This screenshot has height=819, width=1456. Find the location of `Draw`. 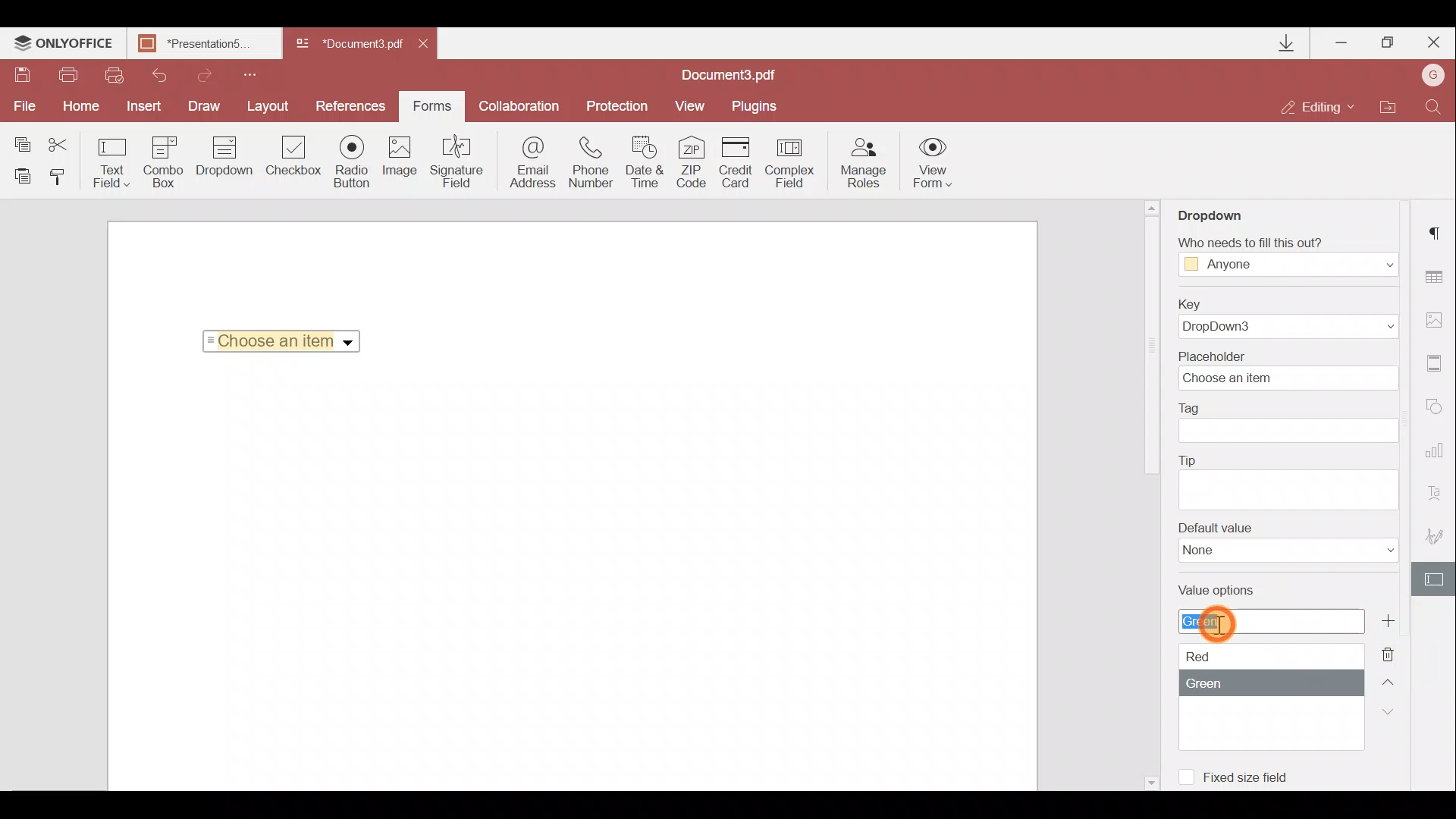

Draw is located at coordinates (208, 106).